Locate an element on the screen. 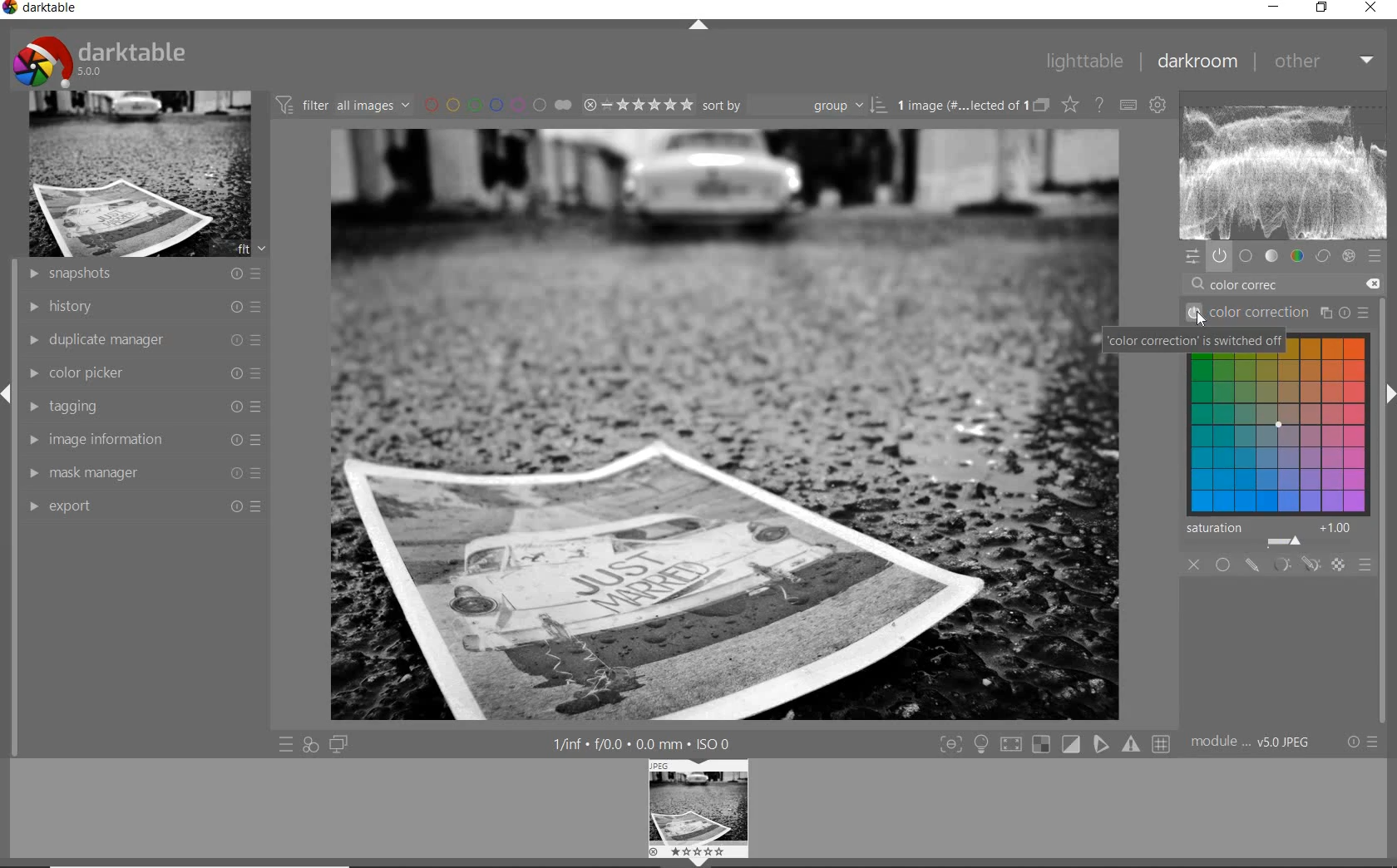 This screenshot has width=1397, height=868. show only active module is located at coordinates (1220, 257).